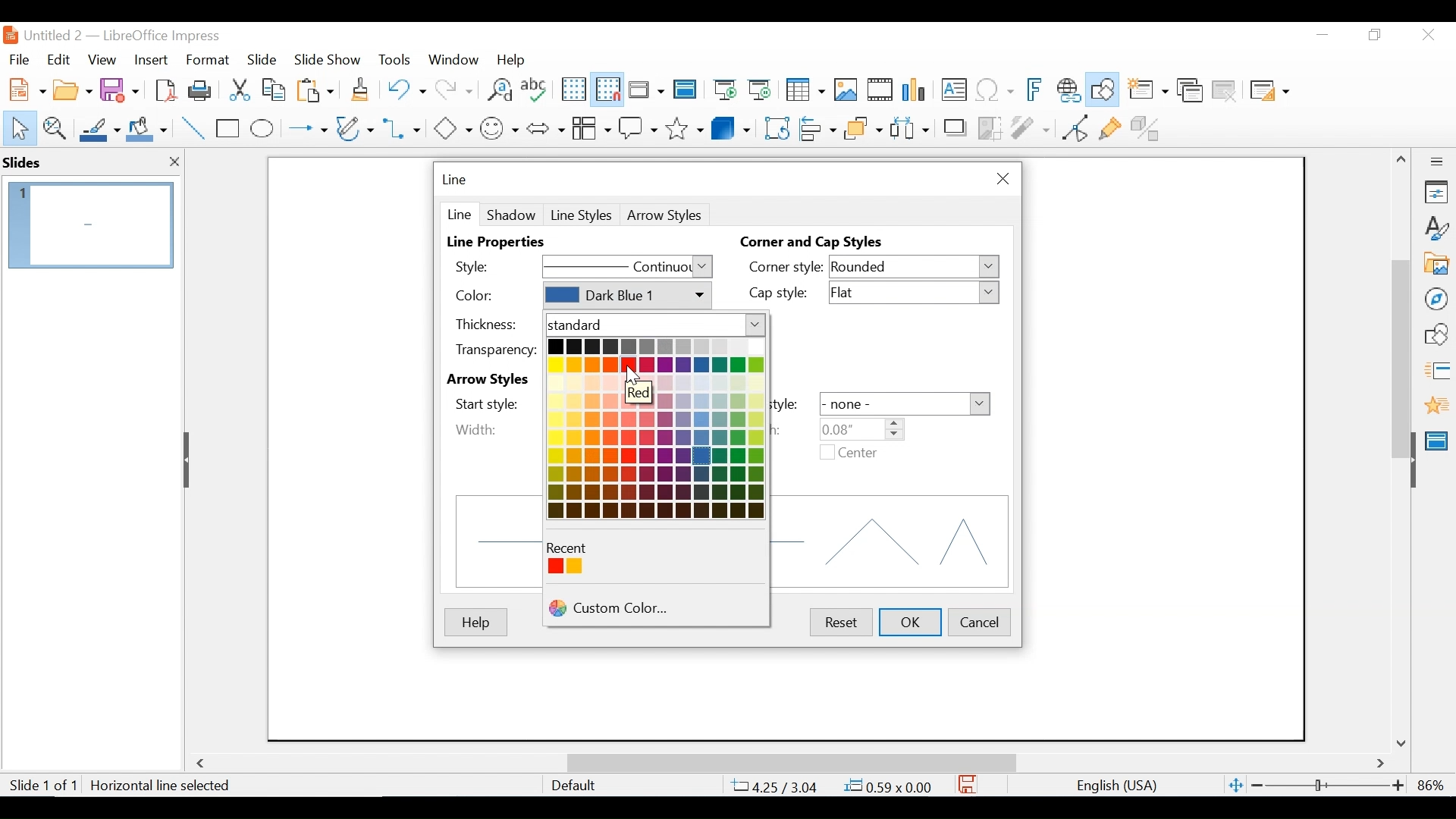 This screenshot has height=819, width=1456. Describe the element at coordinates (1436, 372) in the screenshot. I see `Slide Transition` at that location.